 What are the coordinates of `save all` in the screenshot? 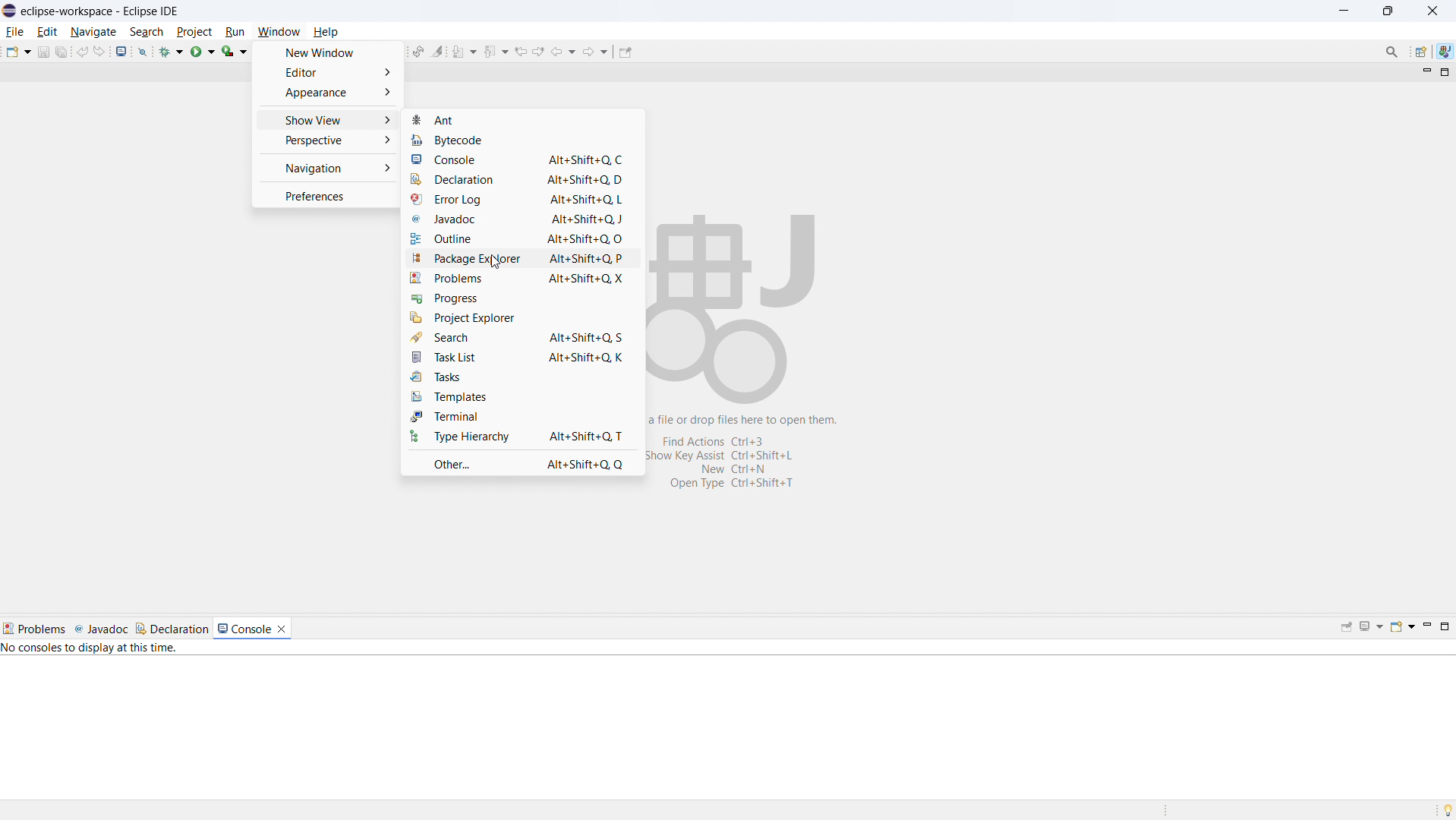 It's located at (62, 52).